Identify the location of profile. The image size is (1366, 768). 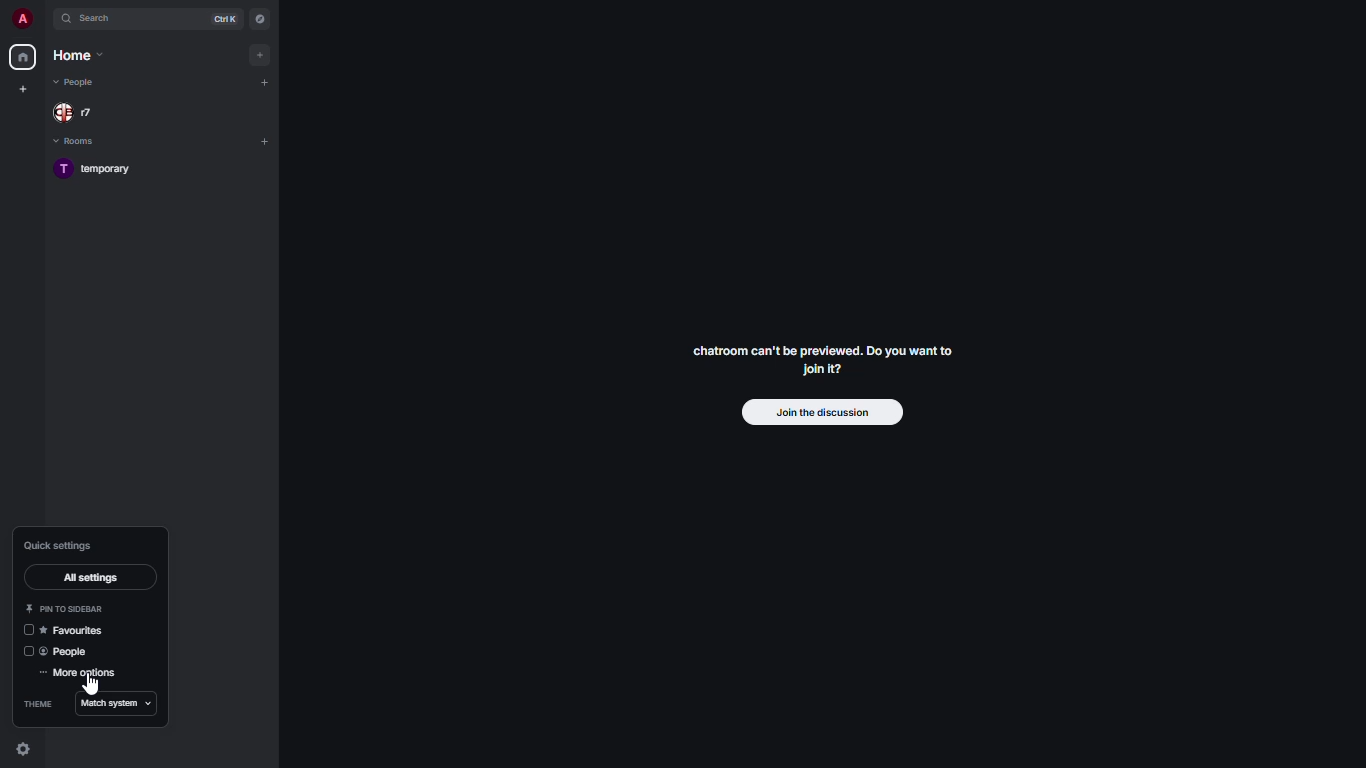
(24, 18).